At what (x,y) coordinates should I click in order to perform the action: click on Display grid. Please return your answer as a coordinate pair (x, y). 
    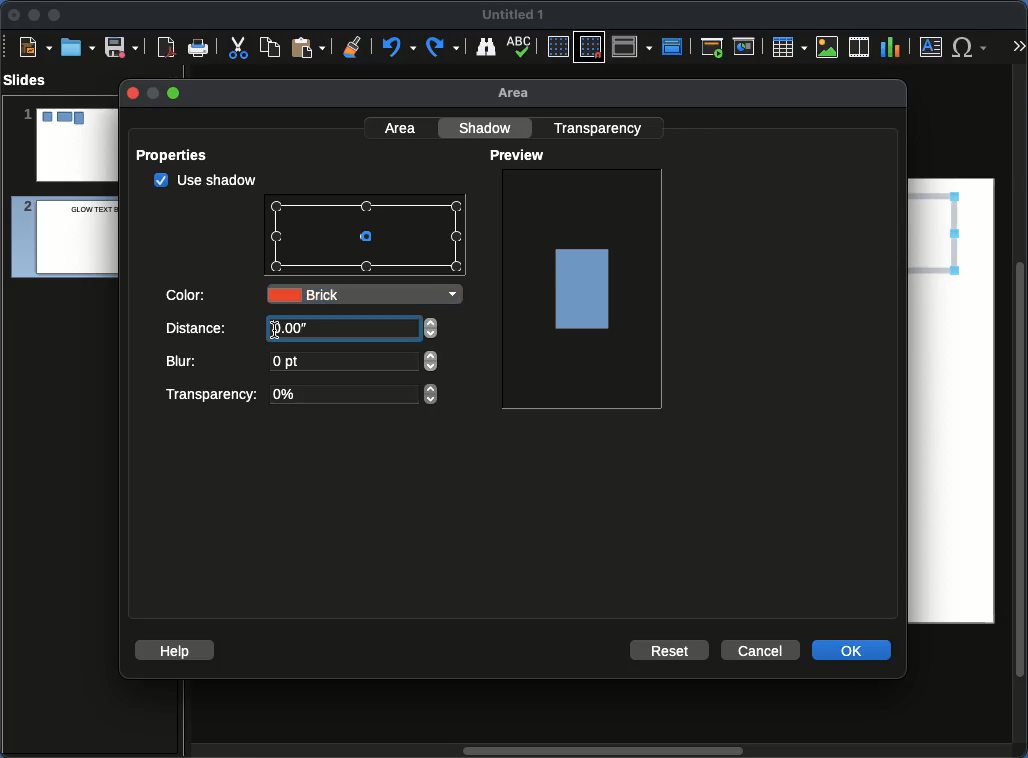
    Looking at the image, I should click on (557, 48).